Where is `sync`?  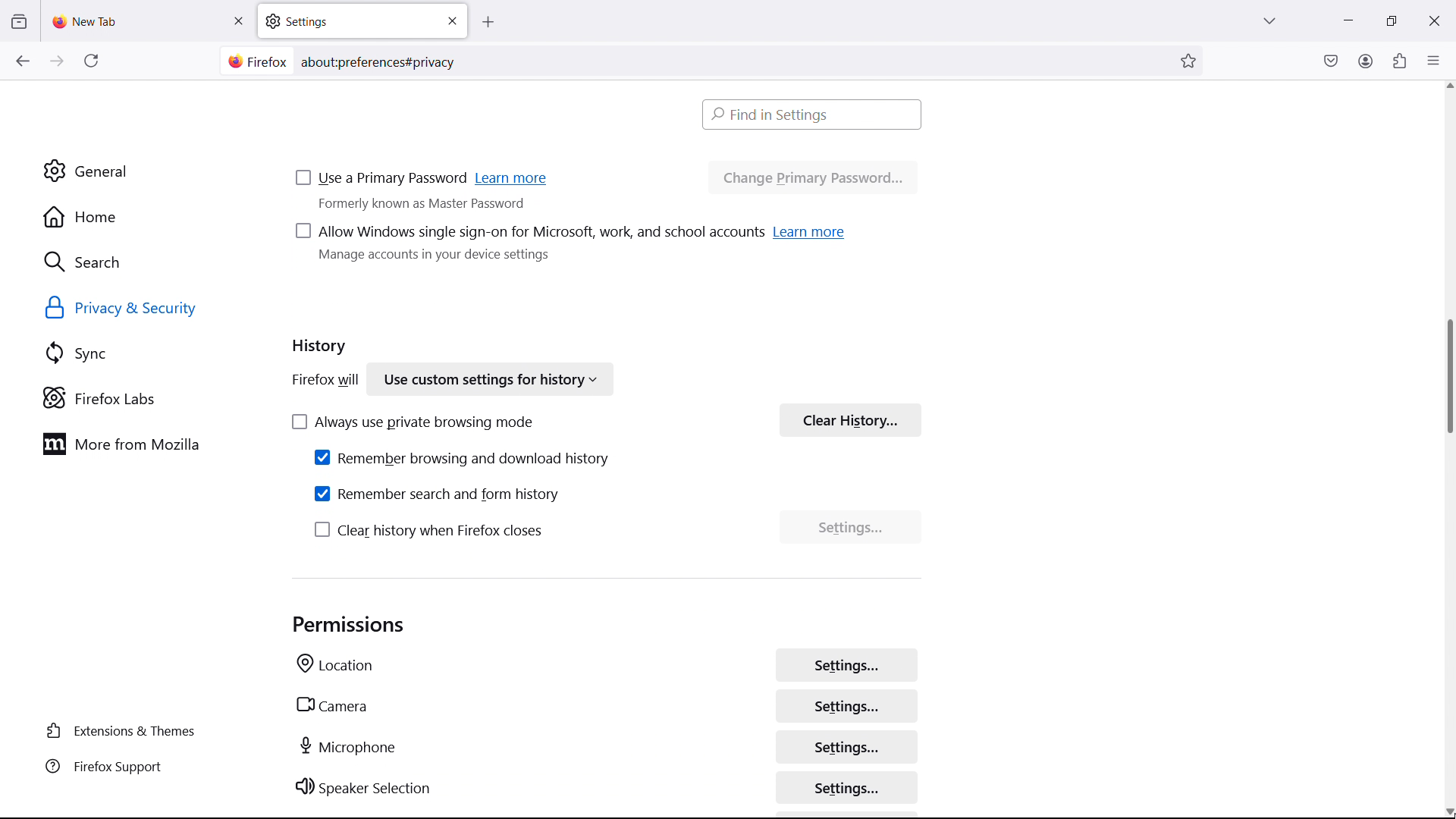
sync is located at coordinates (149, 353).